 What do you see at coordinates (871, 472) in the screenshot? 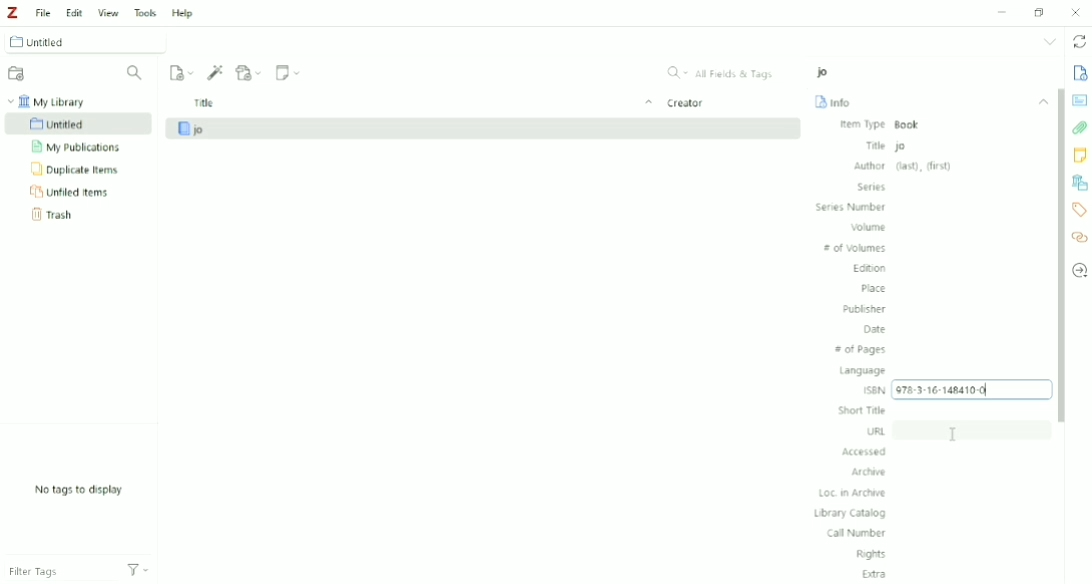
I see `Archive` at bounding box center [871, 472].